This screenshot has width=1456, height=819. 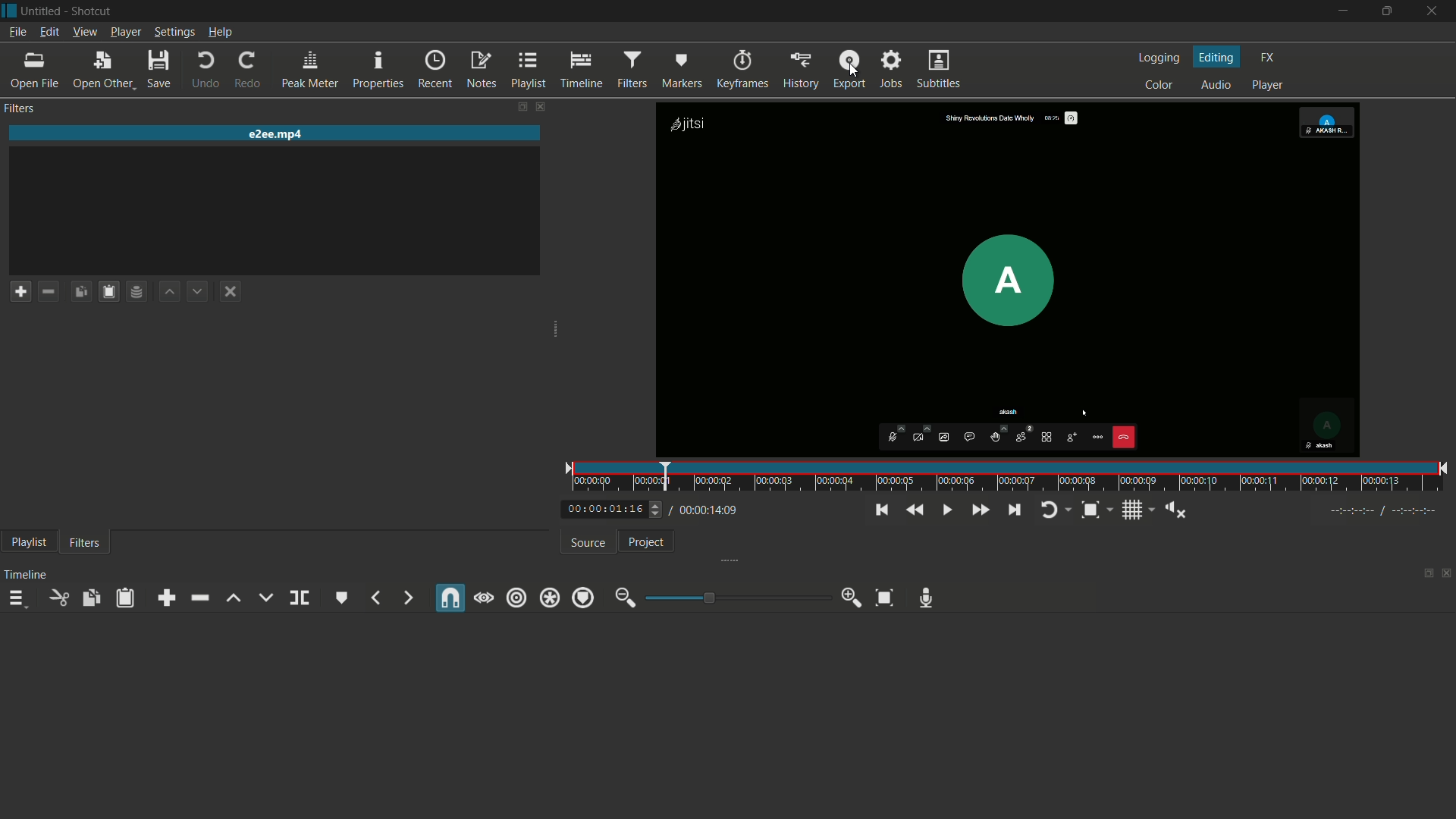 I want to click on ripple delete, so click(x=198, y=598).